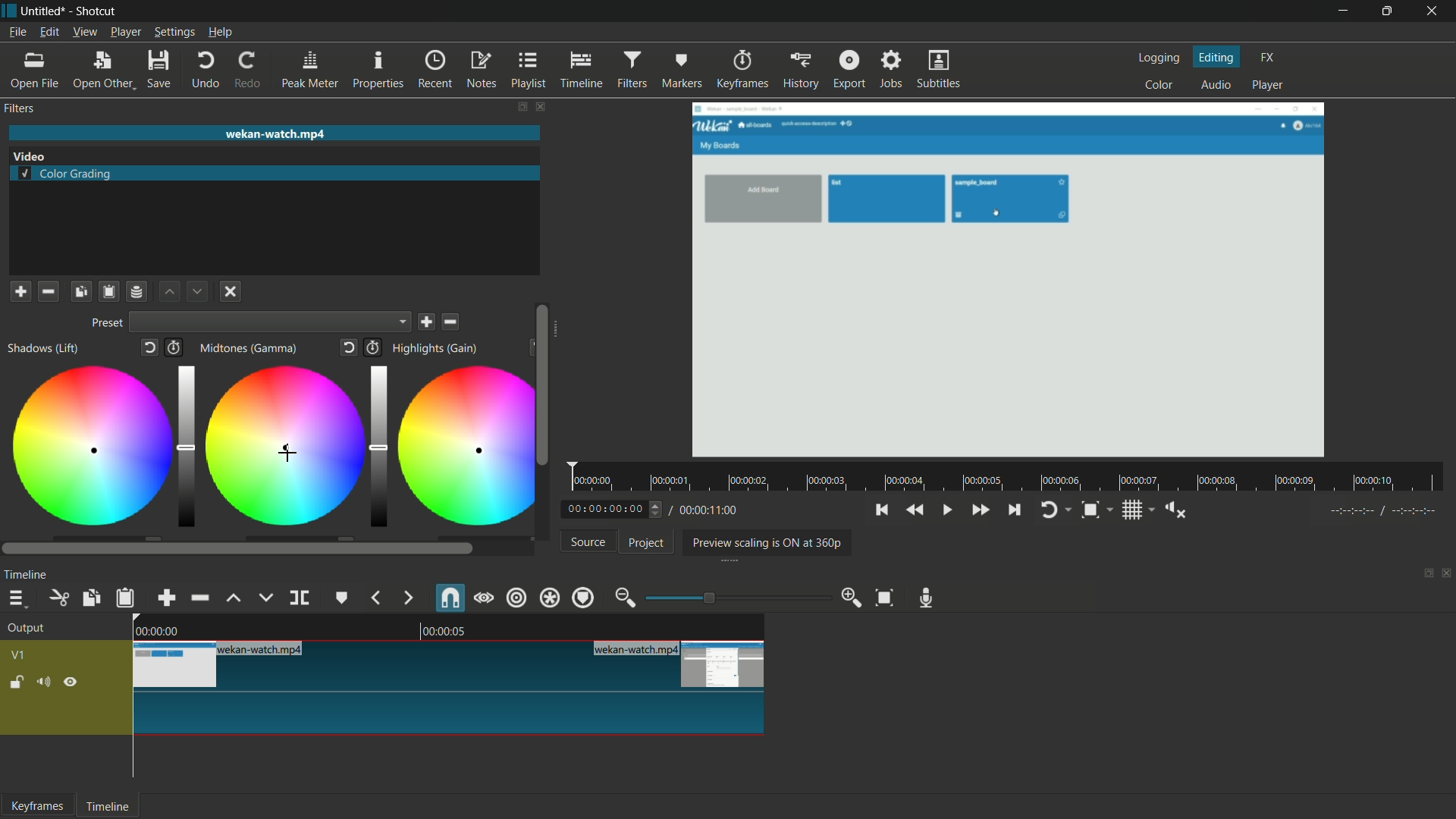 This screenshot has width=1456, height=819. I want to click on save, so click(426, 322).